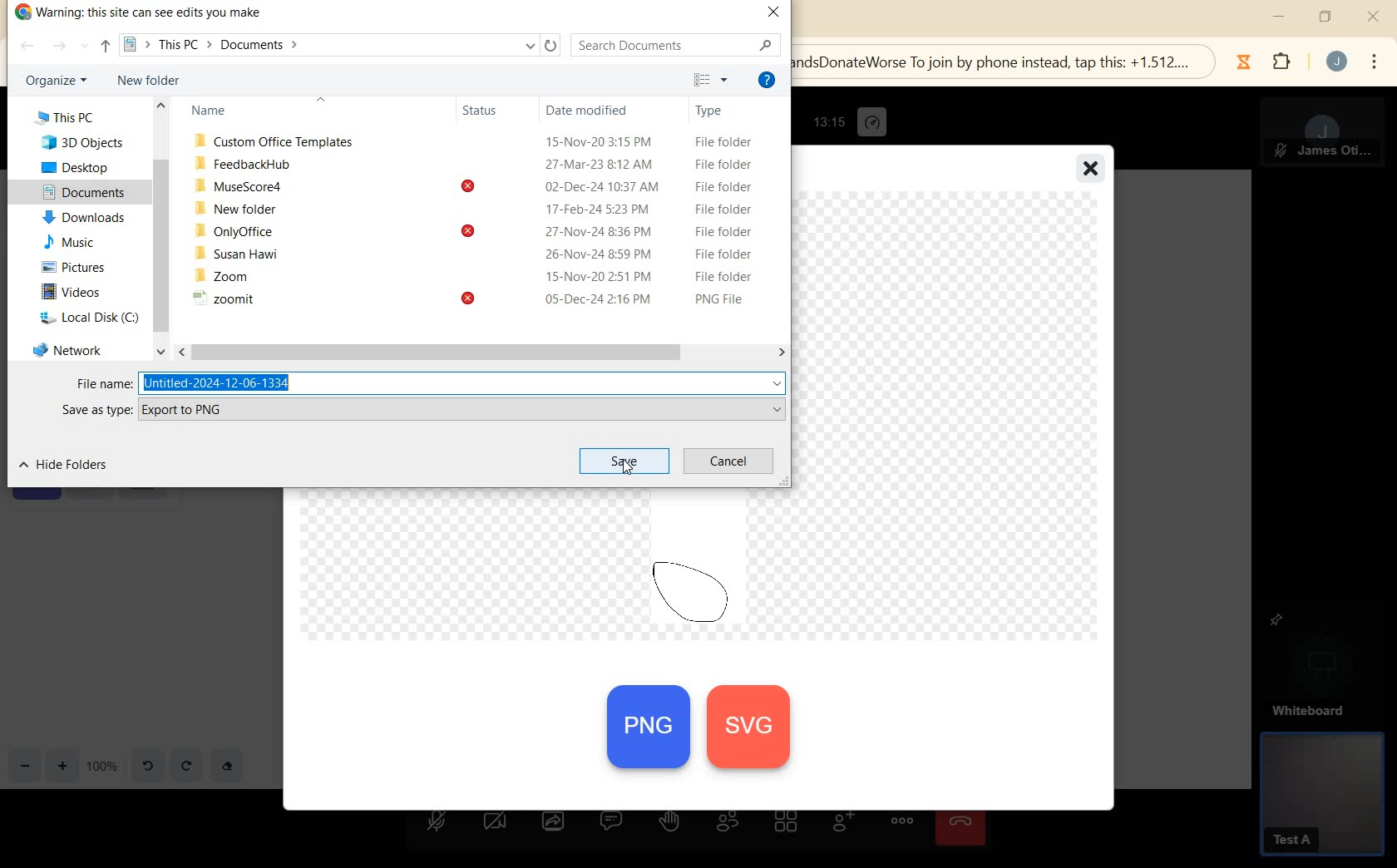  I want to click on menu, so click(1374, 60).